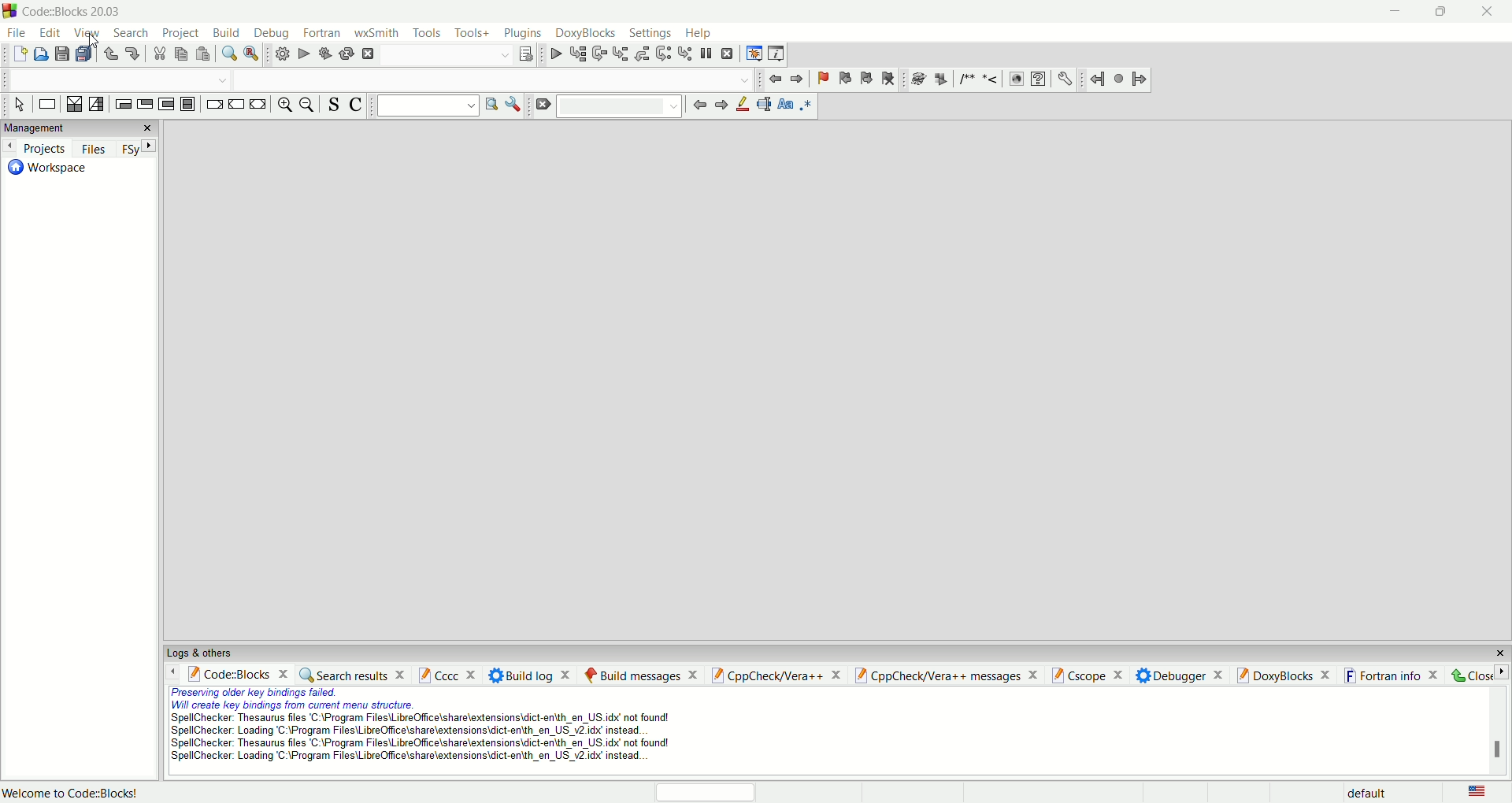  Describe the element at coordinates (427, 33) in the screenshot. I see `tools` at that location.